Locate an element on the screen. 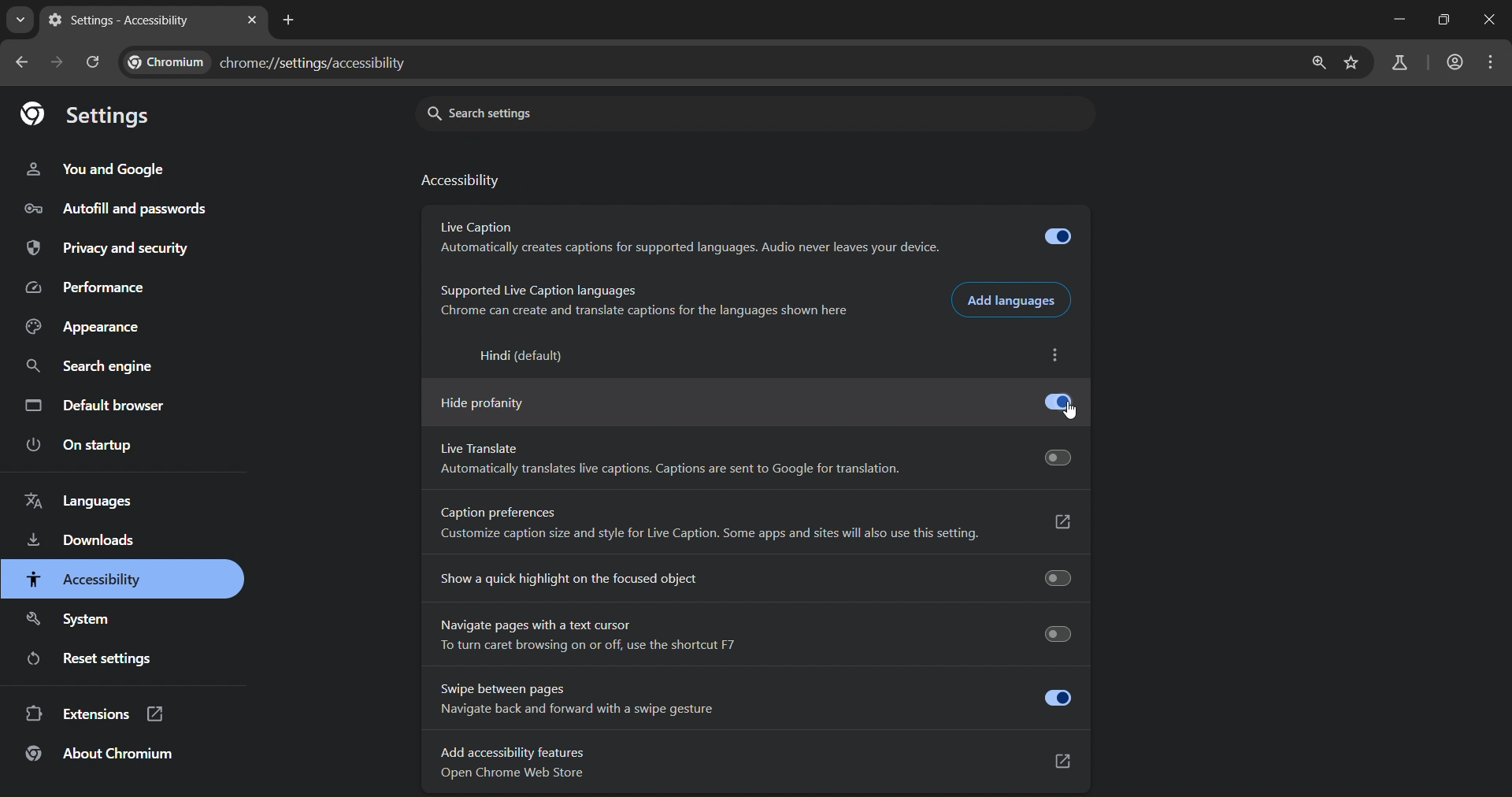 The width and height of the screenshot is (1512, 797). add languages is located at coordinates (1015, 299).